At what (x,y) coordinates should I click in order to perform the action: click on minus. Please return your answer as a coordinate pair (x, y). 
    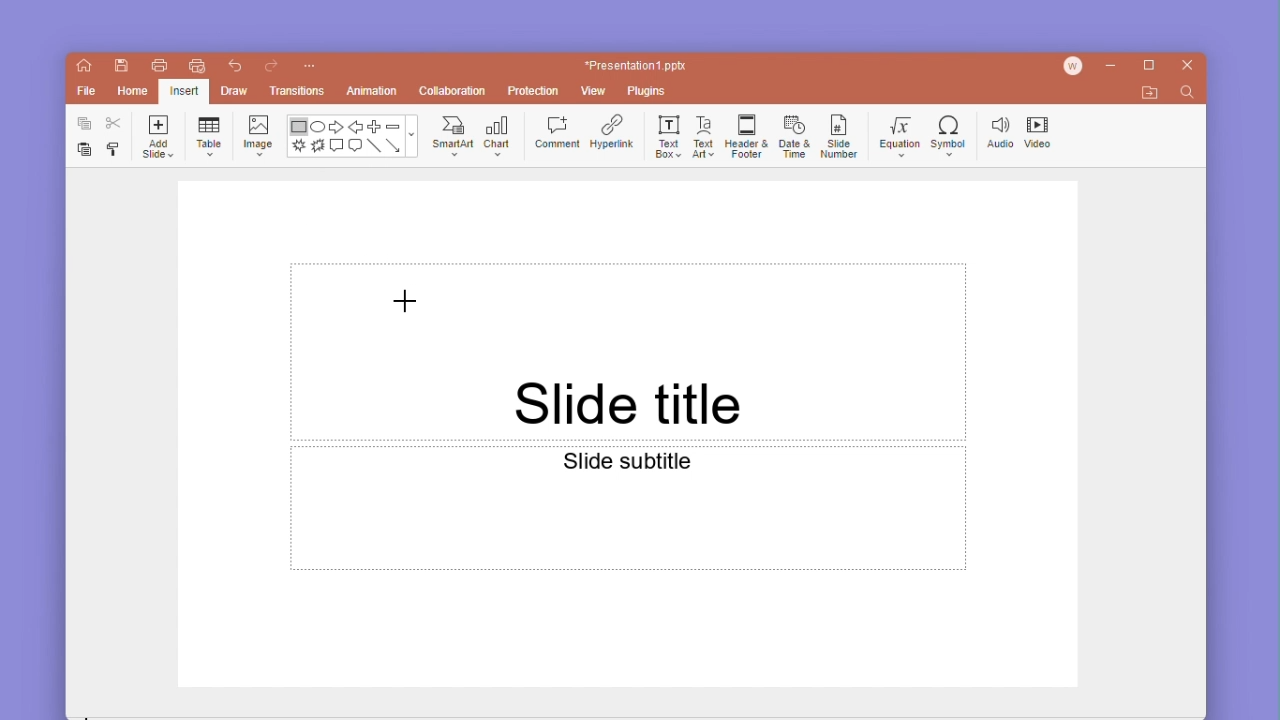
    Looking at the image, I should click on (393, 125).